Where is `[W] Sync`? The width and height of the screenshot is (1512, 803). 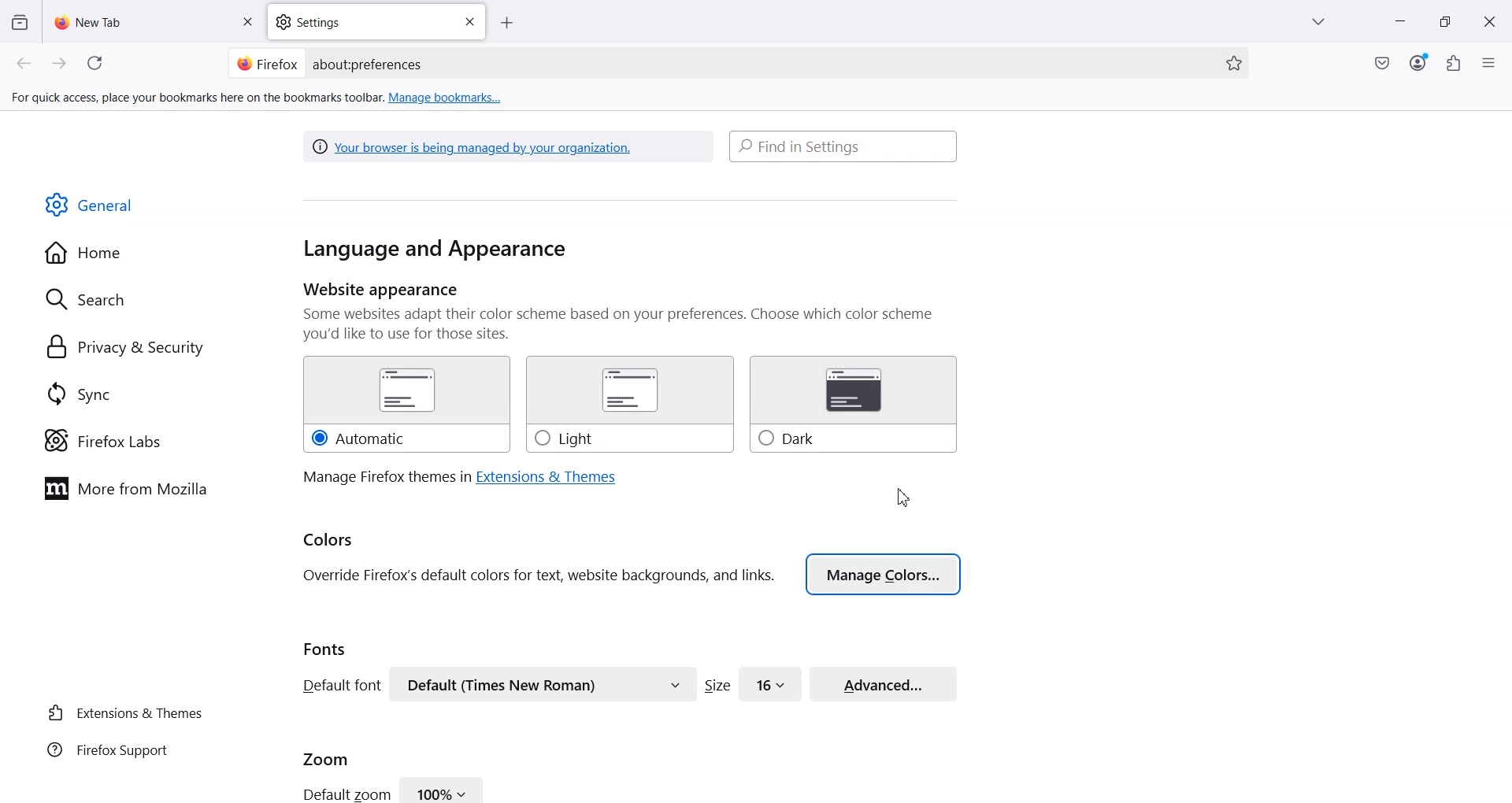 [W] Sync is located at coordinates (76, 393).